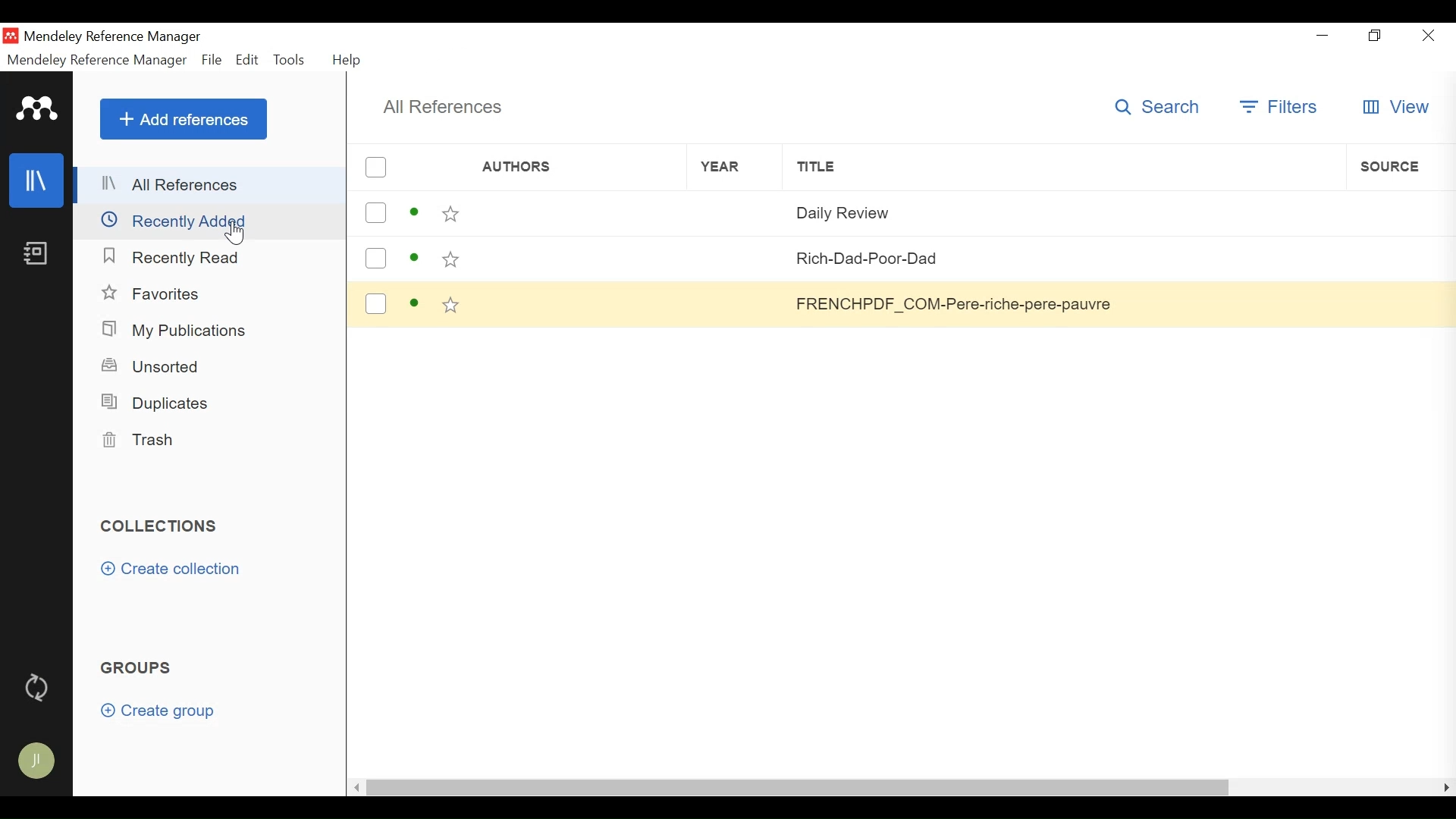 This screenshot has height=819, width=1456. What do you see at coordinates (797, 787) in the screenshot?
I see `Horizontal Scroll bar` at bounding box center [797, 787].